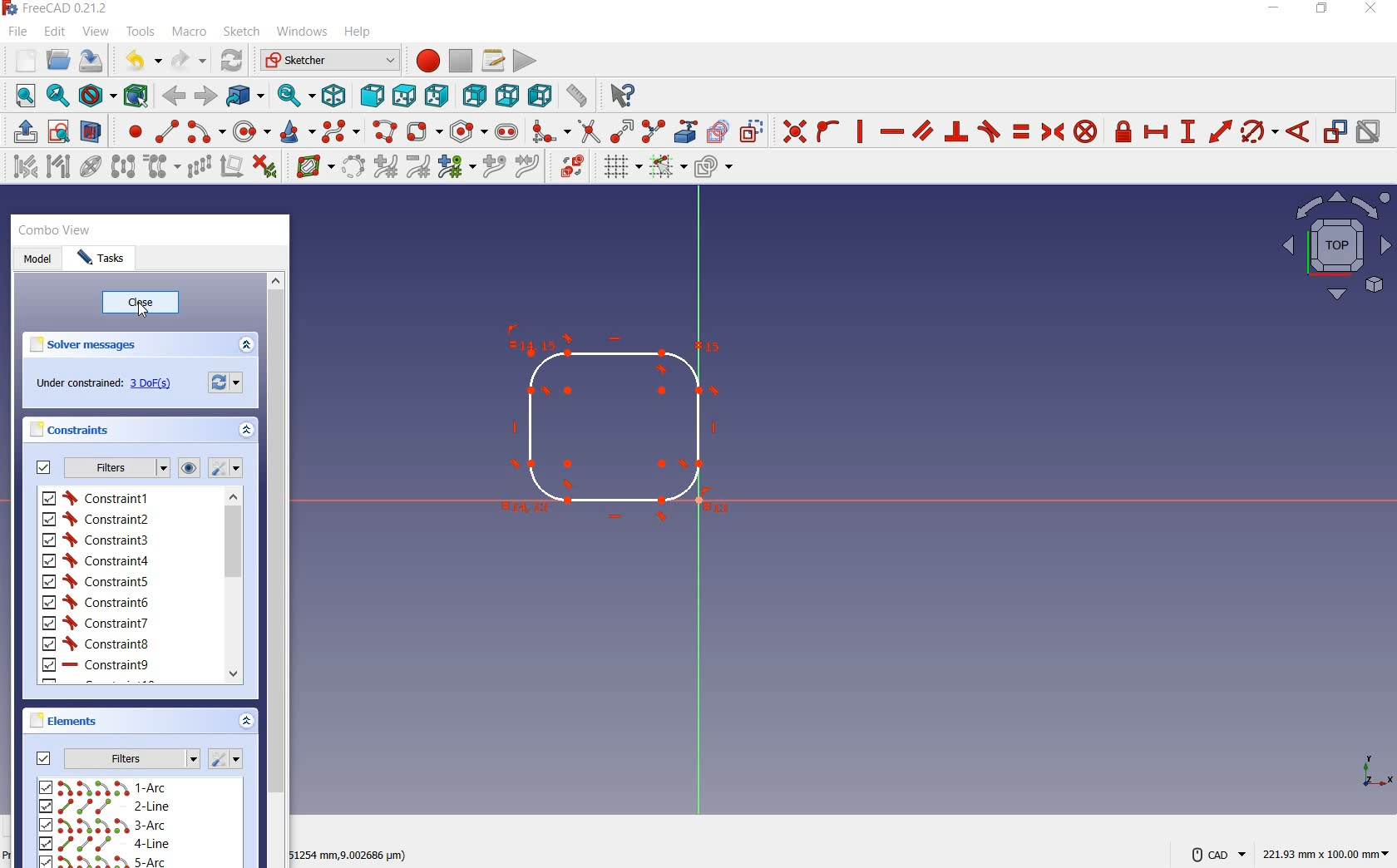  I want to click on constrain horizontally, so click(891, 134).